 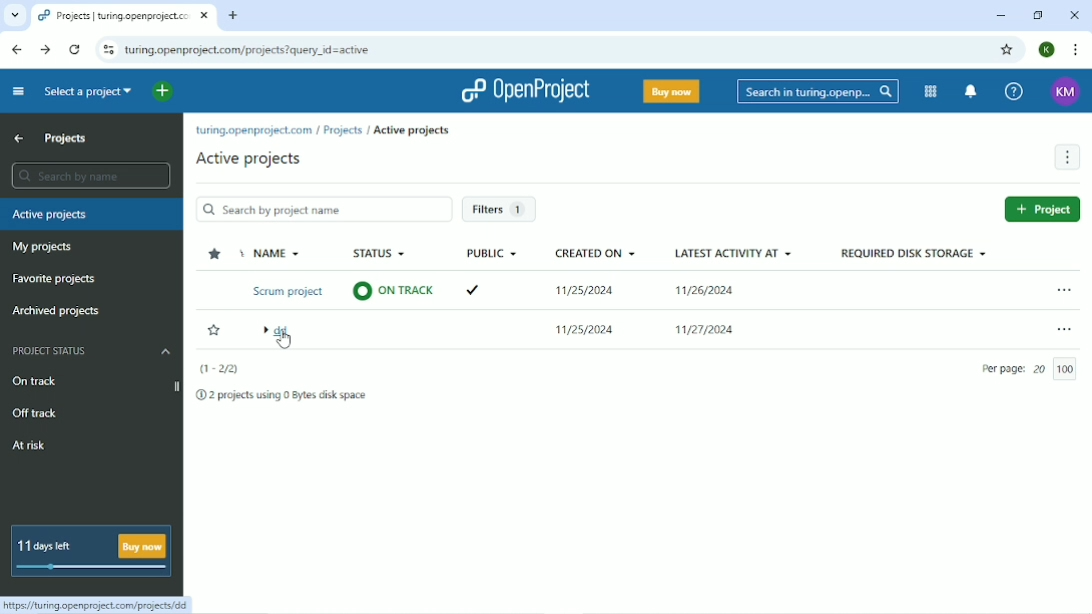 What do you see at coordinates (1006, 49) in the screenshot?
I see `Bookmark this tab` at bounding box center [1006, 49].